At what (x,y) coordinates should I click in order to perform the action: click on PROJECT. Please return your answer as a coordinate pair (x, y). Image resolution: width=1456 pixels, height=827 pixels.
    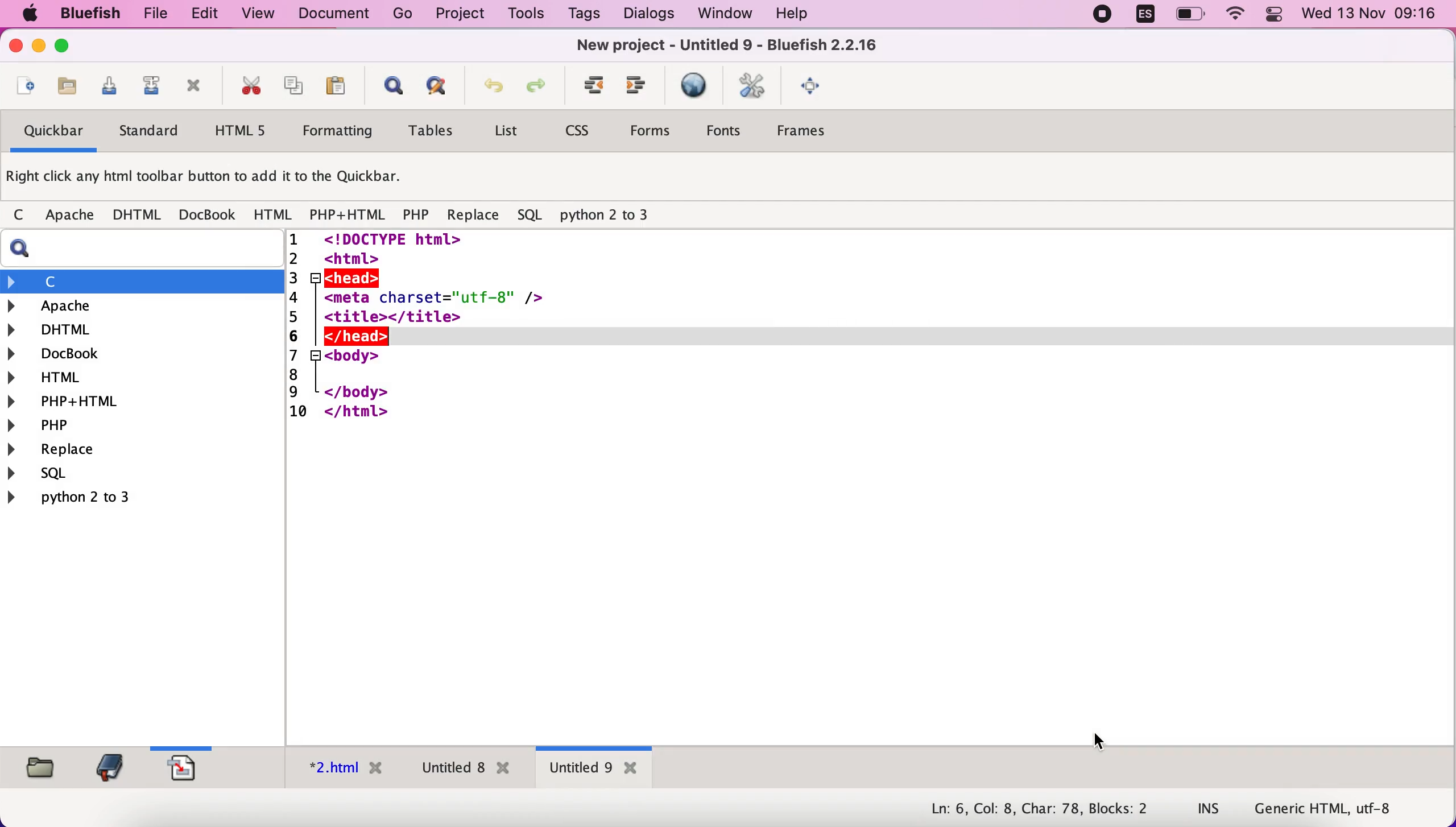
    Looking at the image, I should click on (460, 13).